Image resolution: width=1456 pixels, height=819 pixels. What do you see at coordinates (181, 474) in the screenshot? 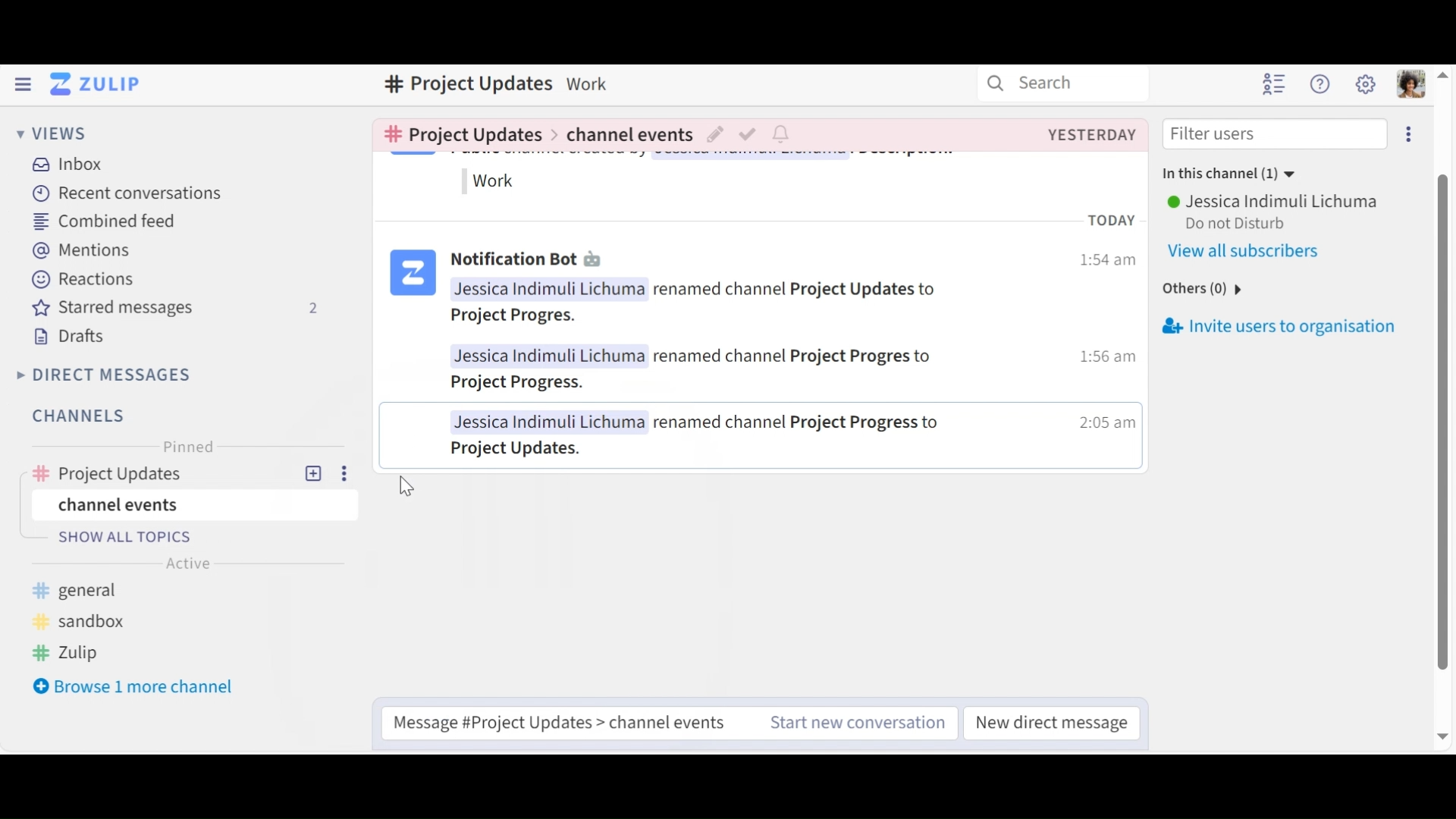
I see `Channel` at bounding box center [181, 474].